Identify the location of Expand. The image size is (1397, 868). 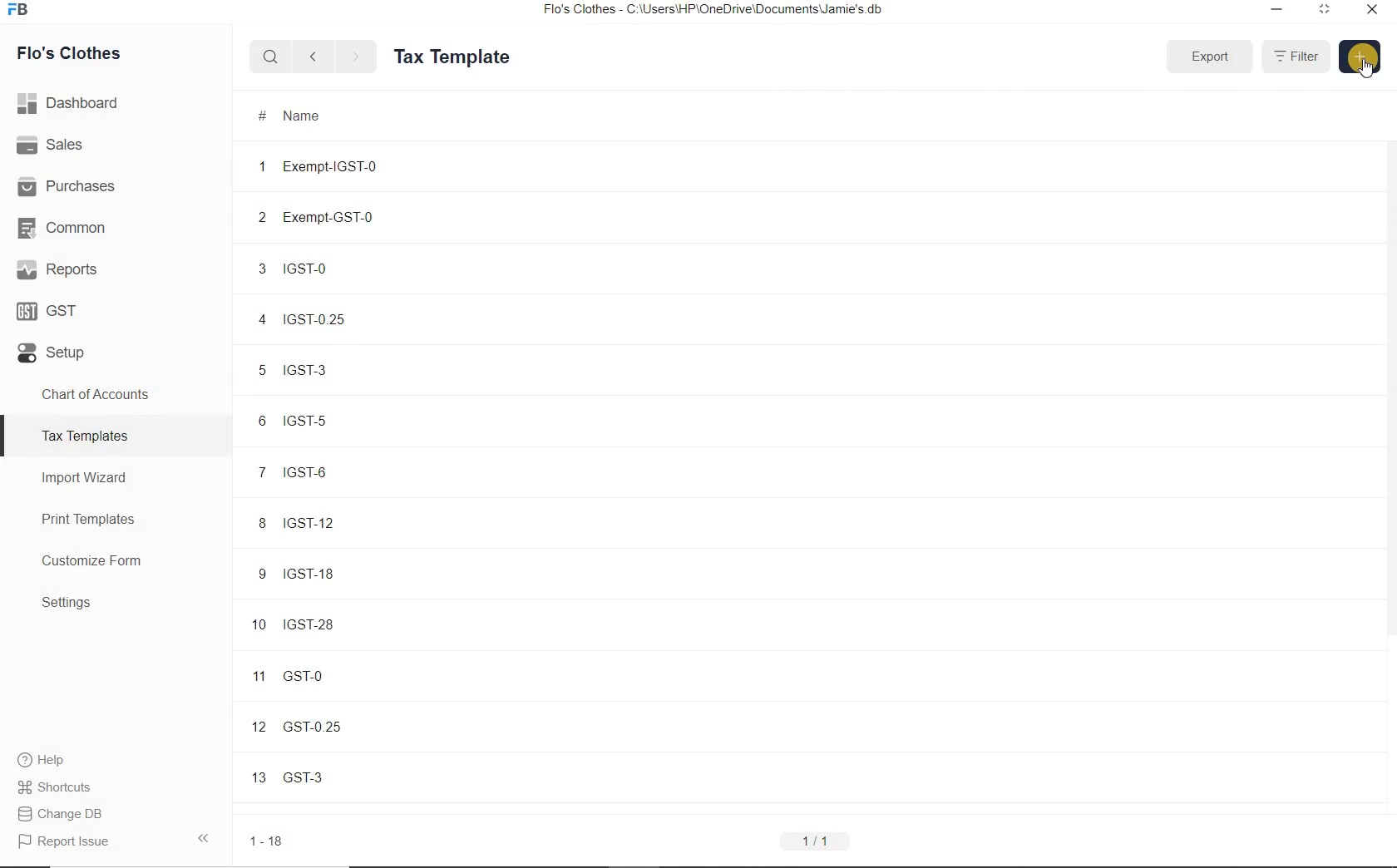
(1210, 56).